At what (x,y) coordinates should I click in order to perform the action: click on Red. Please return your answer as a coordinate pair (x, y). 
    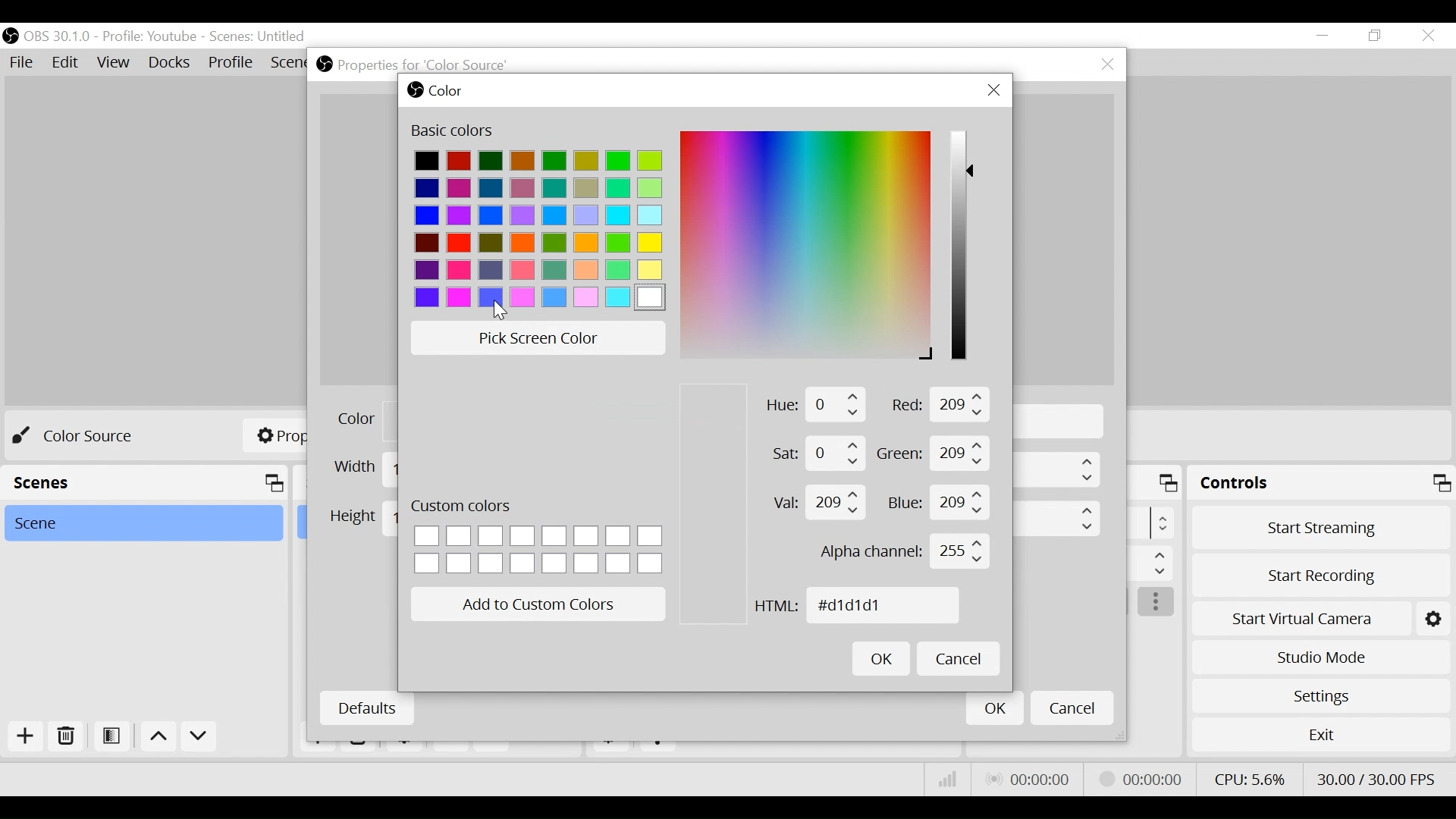
    Looking at the image, I should click on (938, 404).